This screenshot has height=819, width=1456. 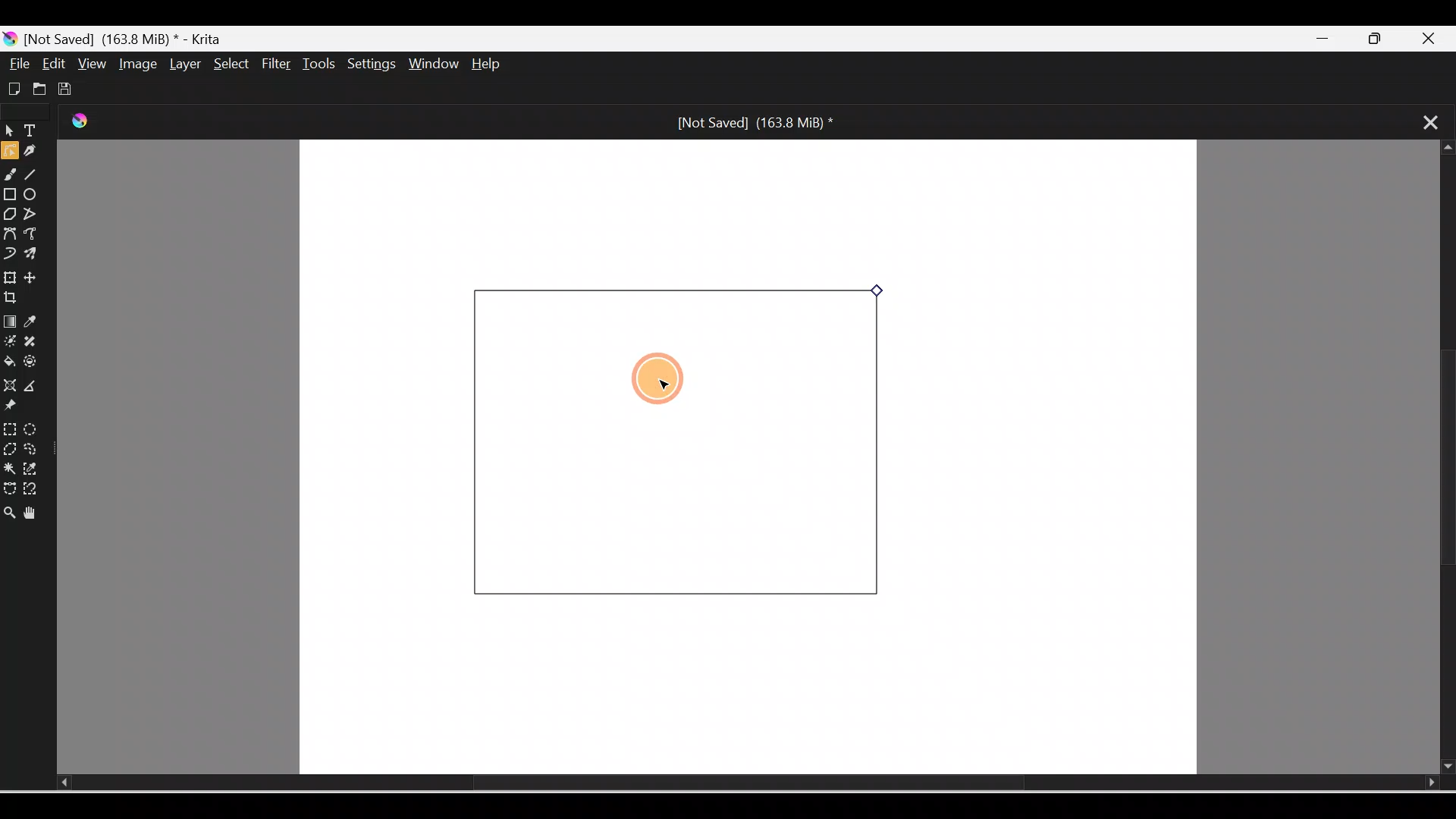 I want to click on Open existing document, so click(x=37, y=89).